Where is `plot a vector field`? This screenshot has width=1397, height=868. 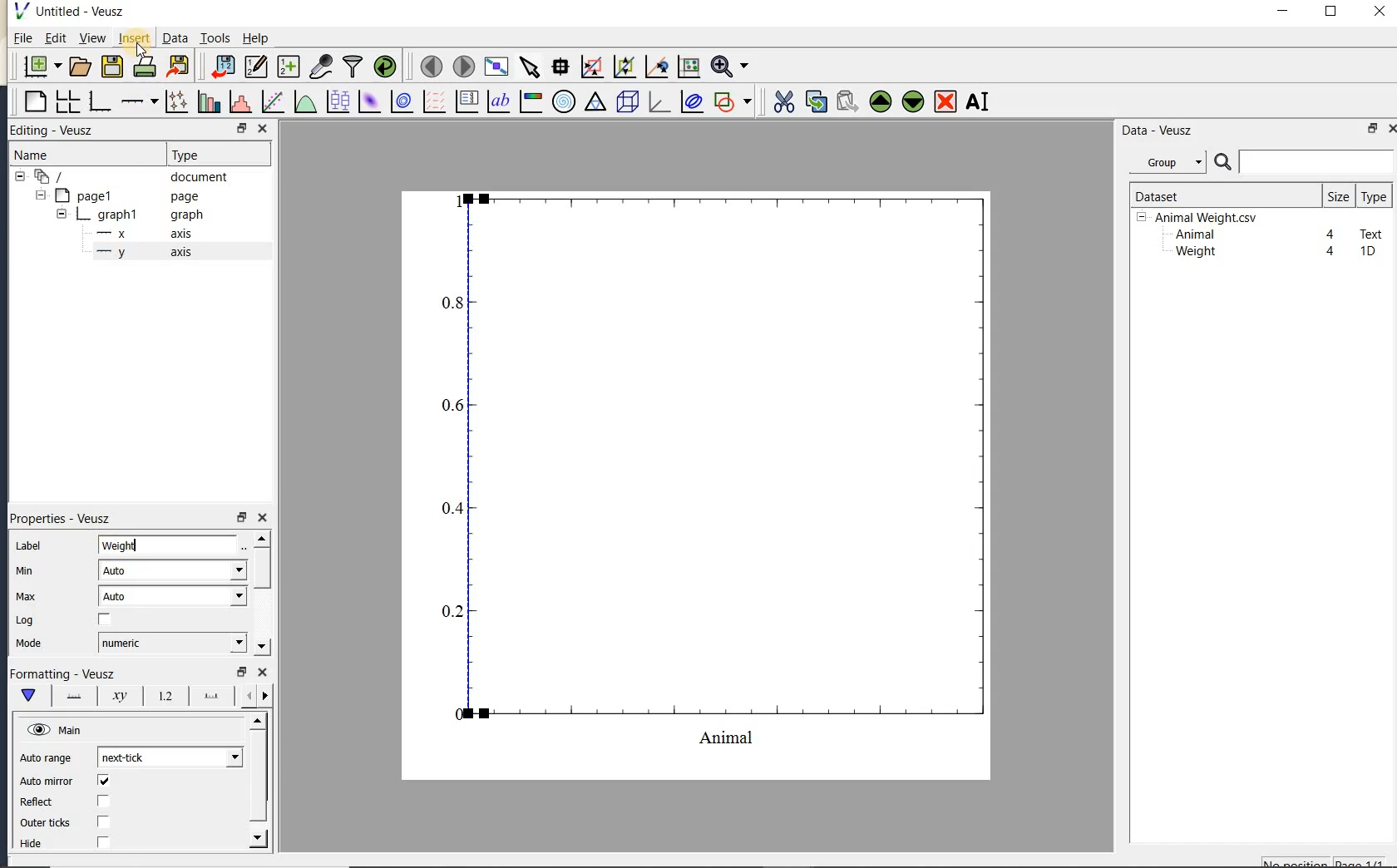
plot a vector field is located at coordinates (432, 102).